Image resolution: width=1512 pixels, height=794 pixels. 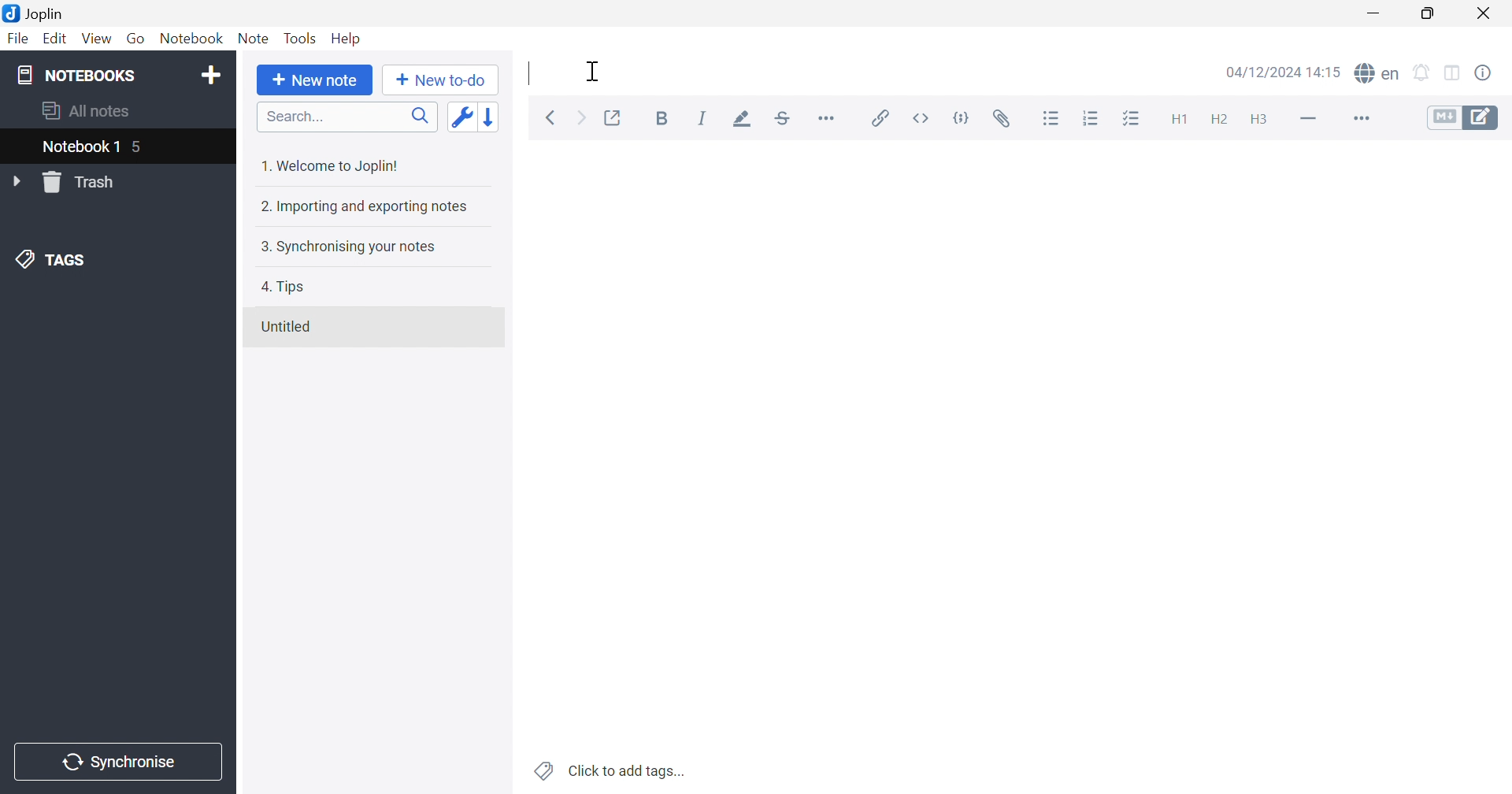 What do you see at coordinates (87, 109) in the screenshot?
I see `All notes` at bounding box center [87, 109].